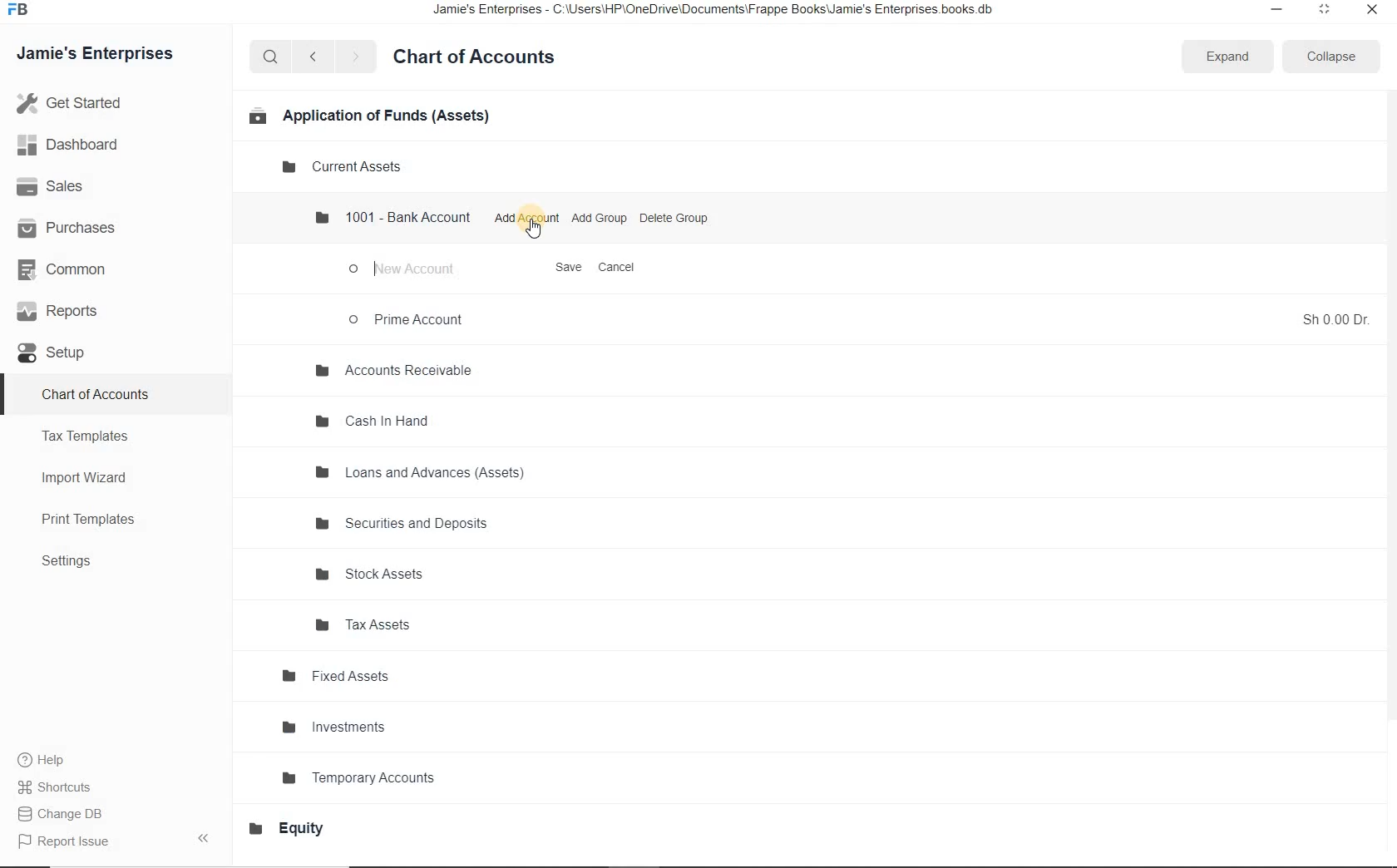 The image size is (1397, 868). What do you see at coordinates (207, 837) in the screenshot?
I see `expand` at bounding box center [207, 837].